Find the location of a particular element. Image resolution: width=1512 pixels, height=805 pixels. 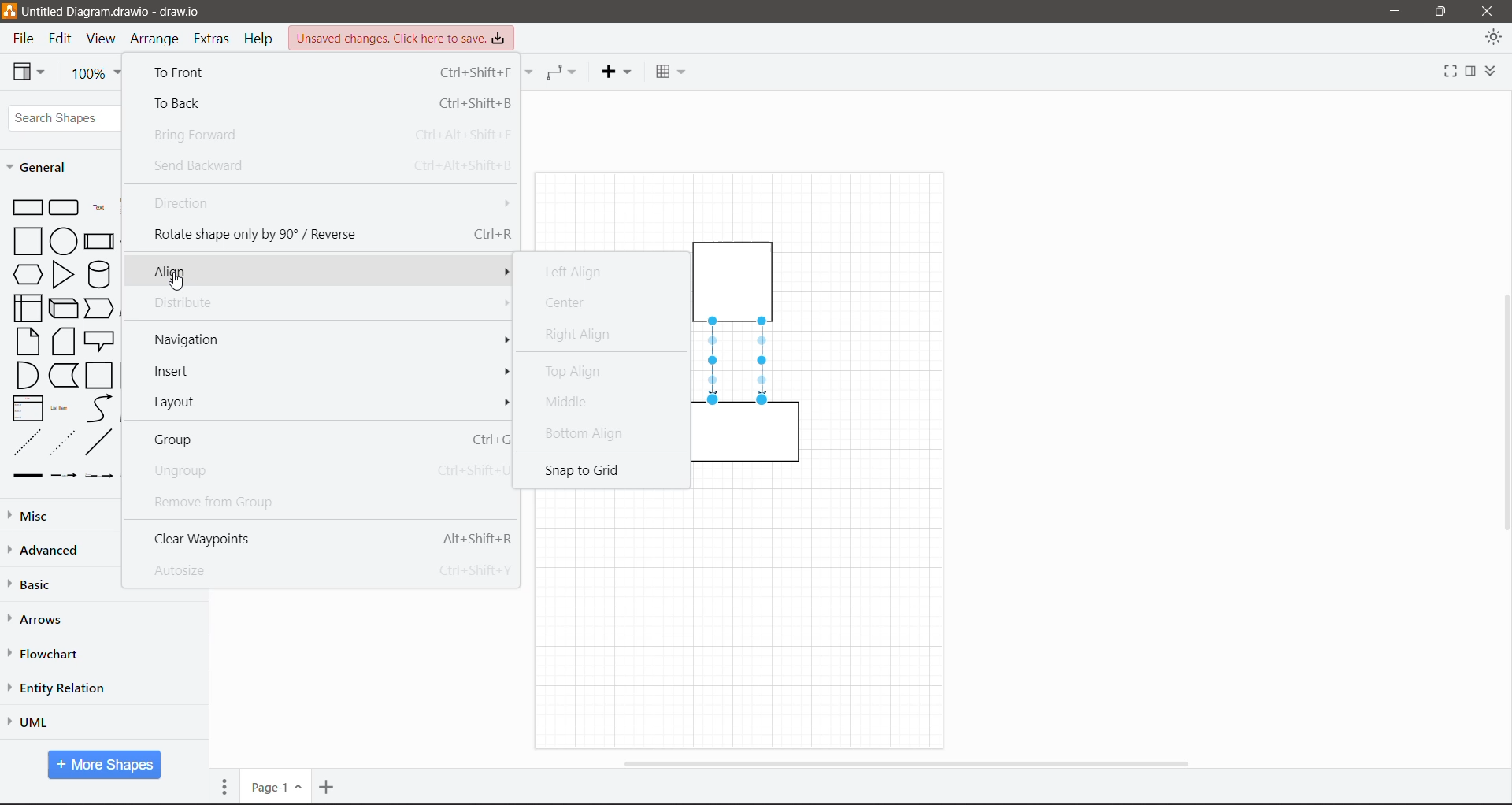

Directional Connector is located at coordinates (764, 362).